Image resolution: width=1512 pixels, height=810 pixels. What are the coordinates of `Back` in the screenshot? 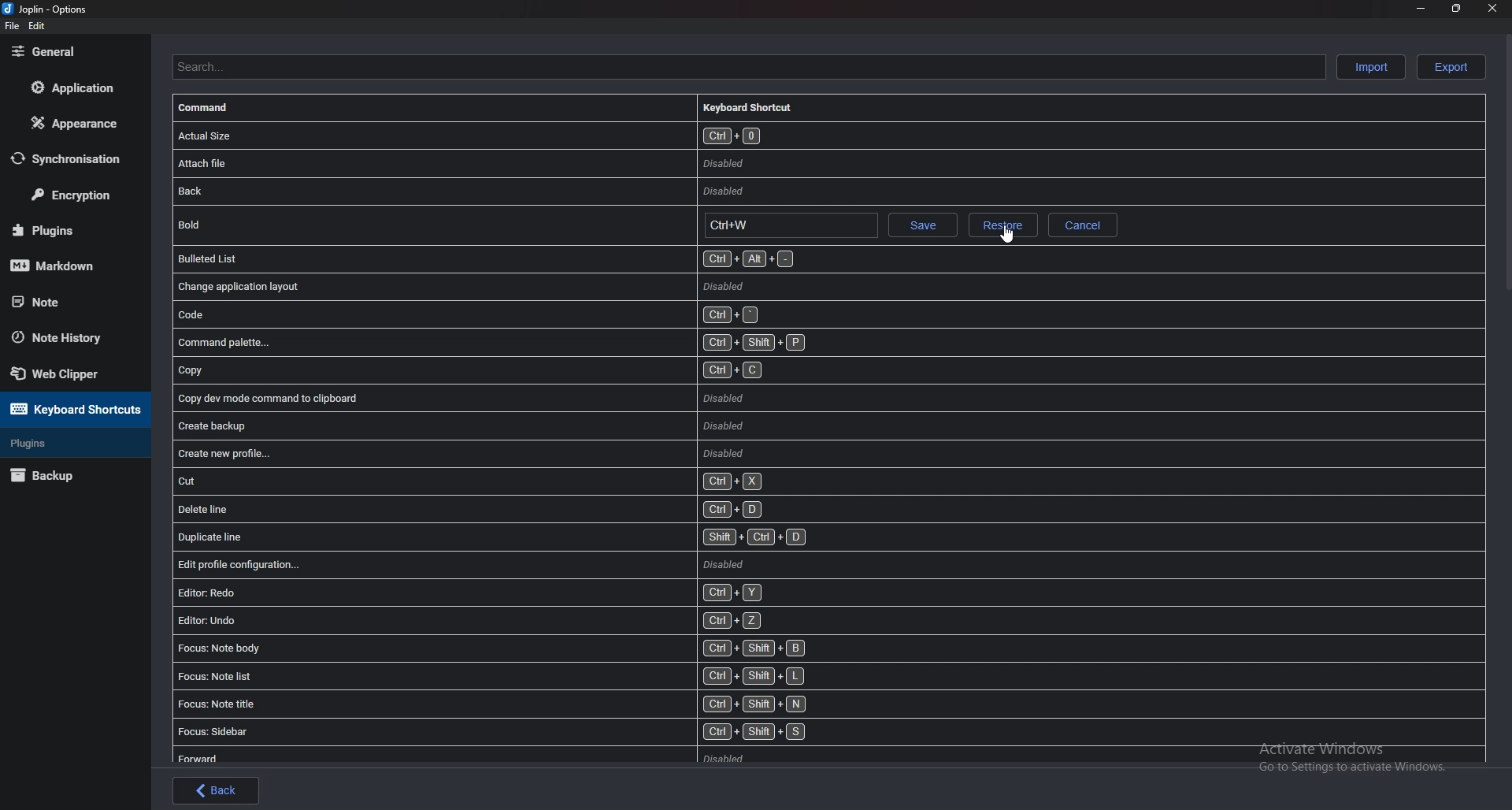 It's located at (216, 790).